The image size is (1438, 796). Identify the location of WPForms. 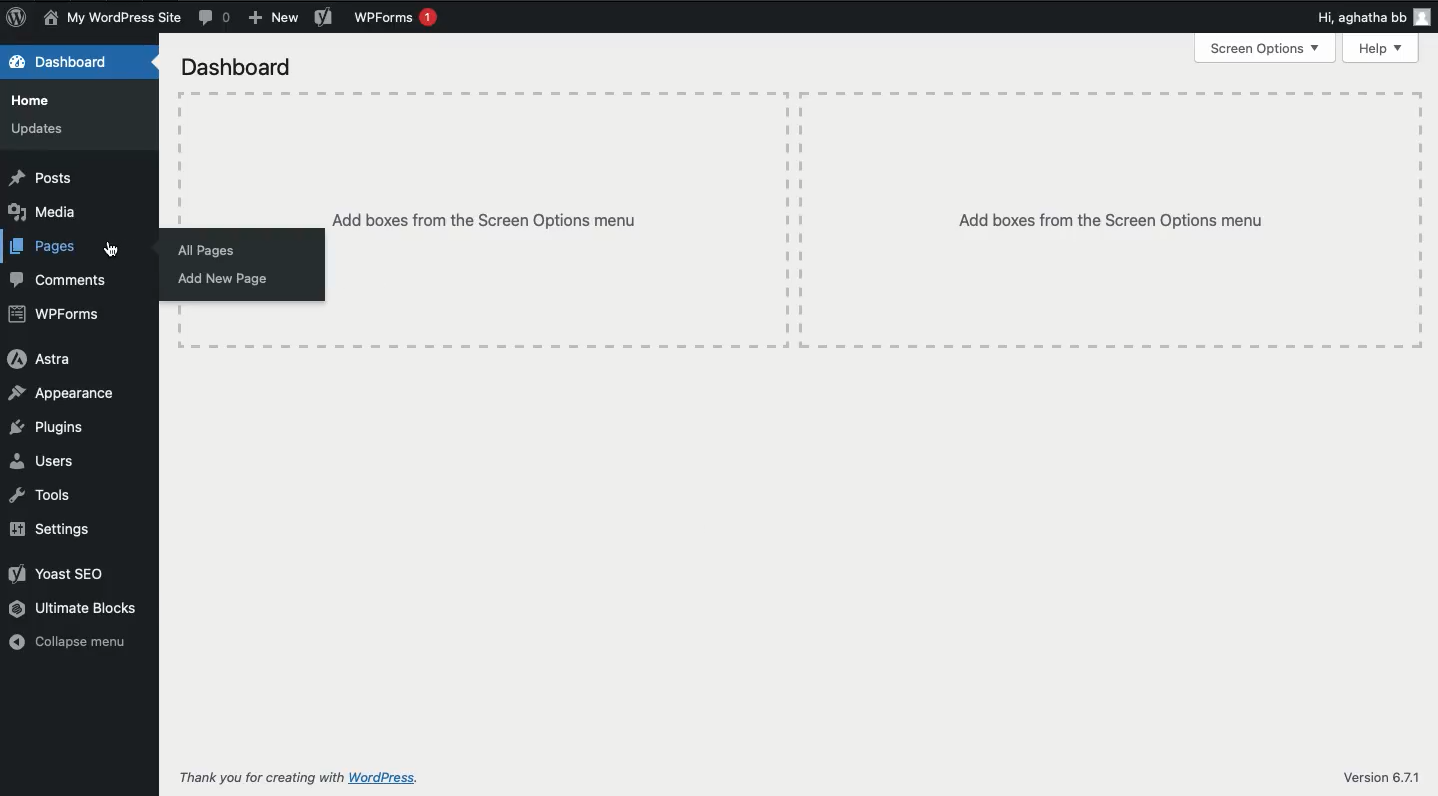
(394, 18).